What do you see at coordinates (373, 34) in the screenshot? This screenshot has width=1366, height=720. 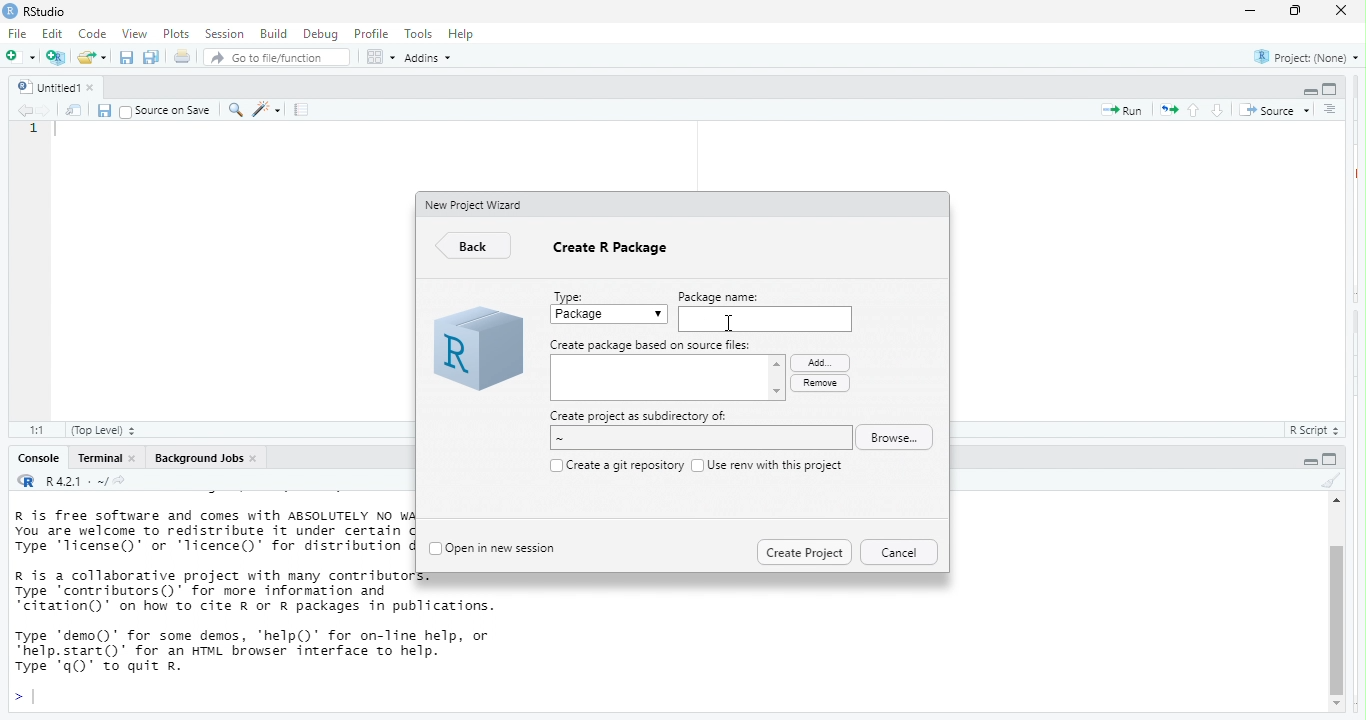 I see `Profile` at bounding box center [373, 34].